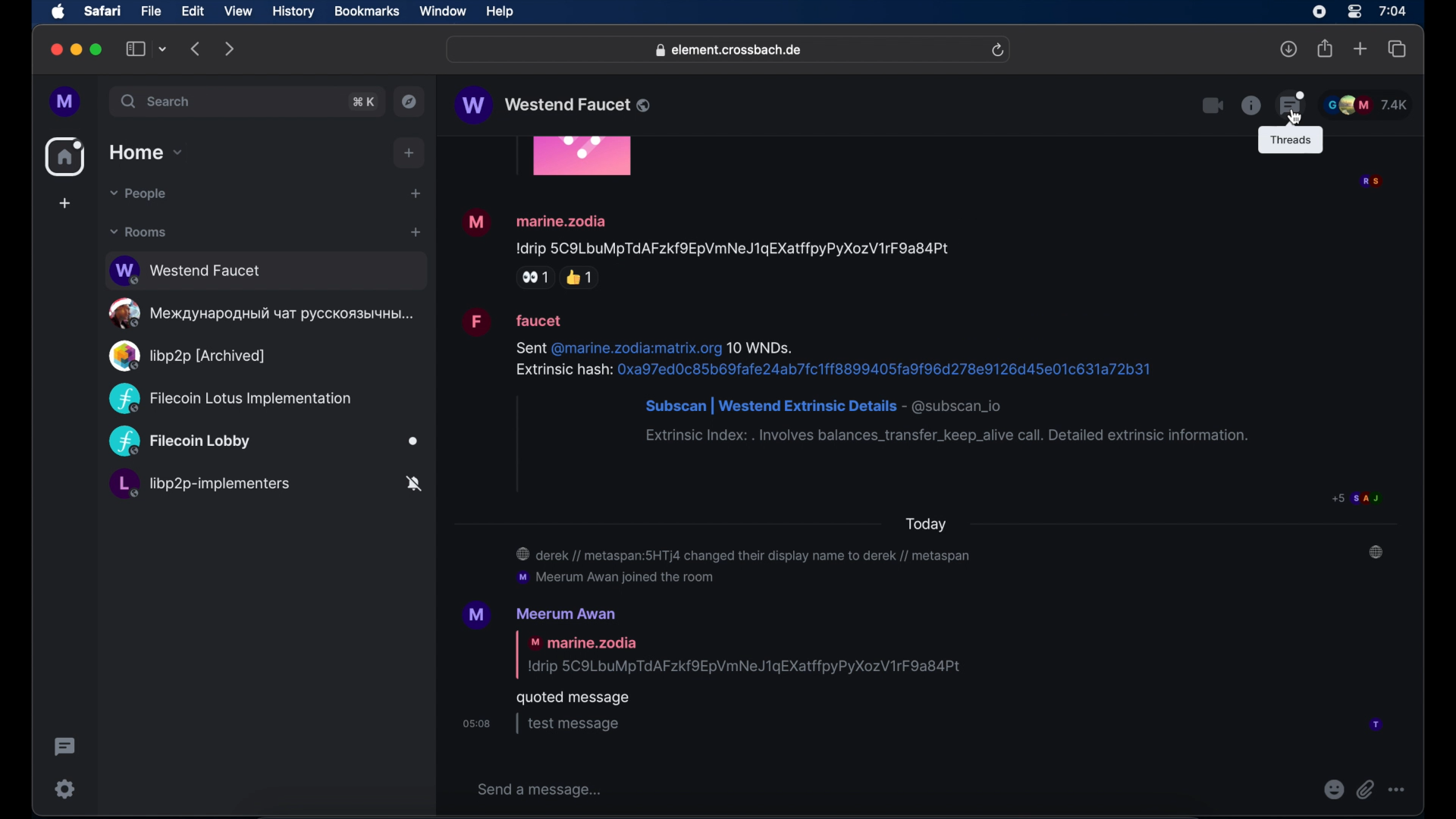 This screenshot has width=1456, height=819. What do you see at coordinates (1325, 789) in the screenshot?
I see `emoji` at bounding box center [1325, 789].